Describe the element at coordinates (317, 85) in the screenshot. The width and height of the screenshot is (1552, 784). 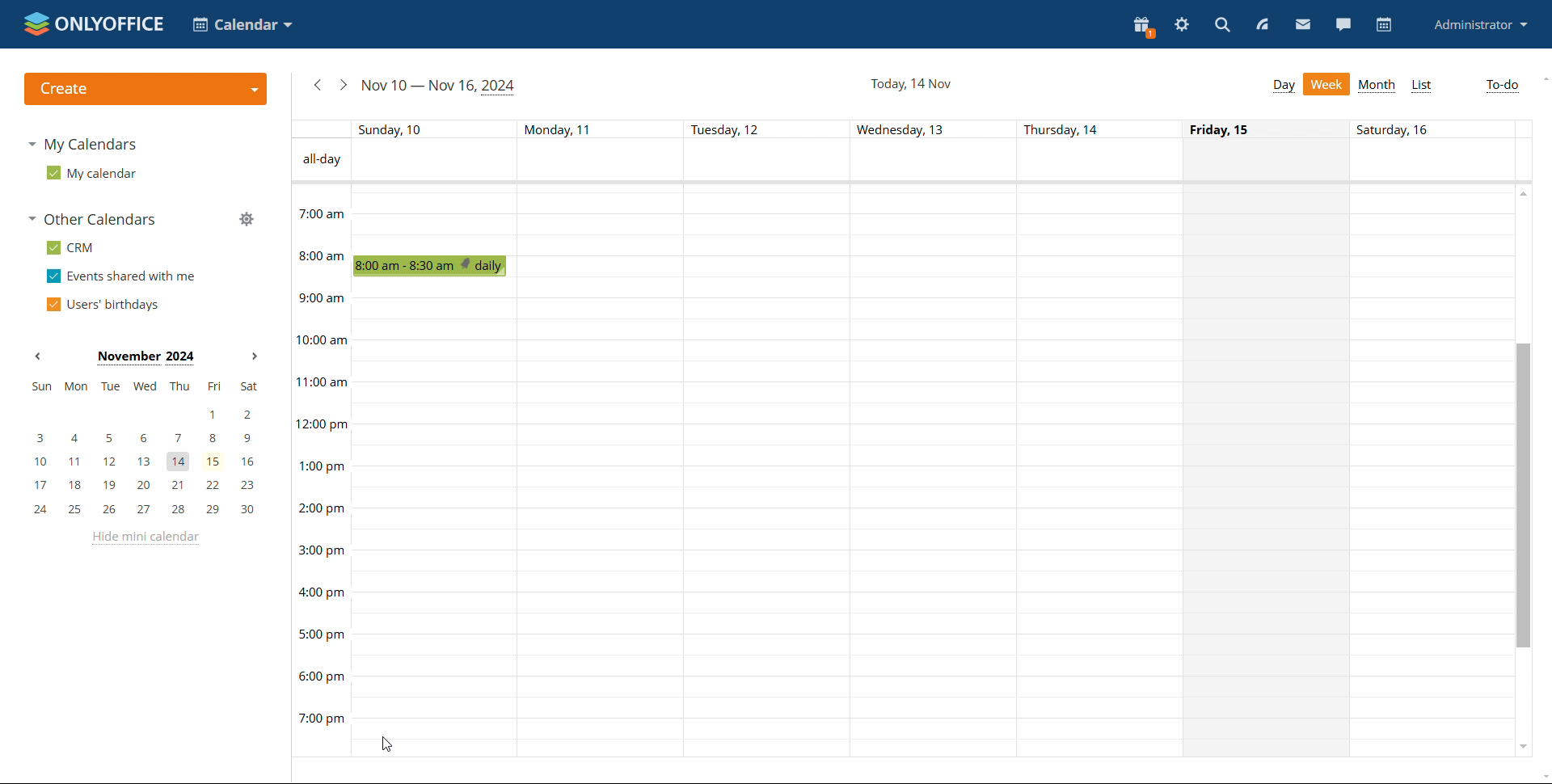
I see `previous week` at that location.